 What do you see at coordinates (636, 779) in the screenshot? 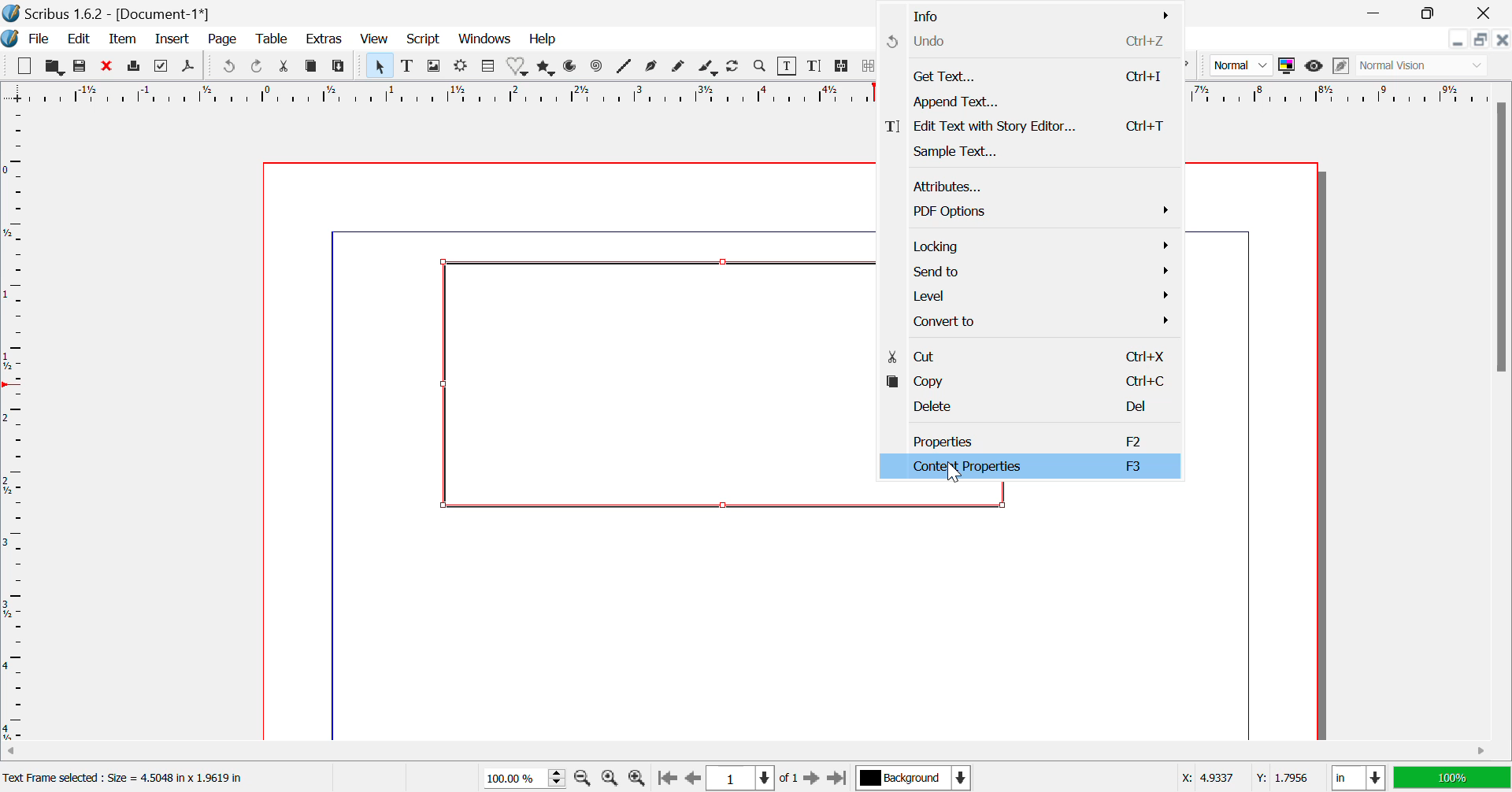
I see `Zoom In` at bounding box center [636, 779].